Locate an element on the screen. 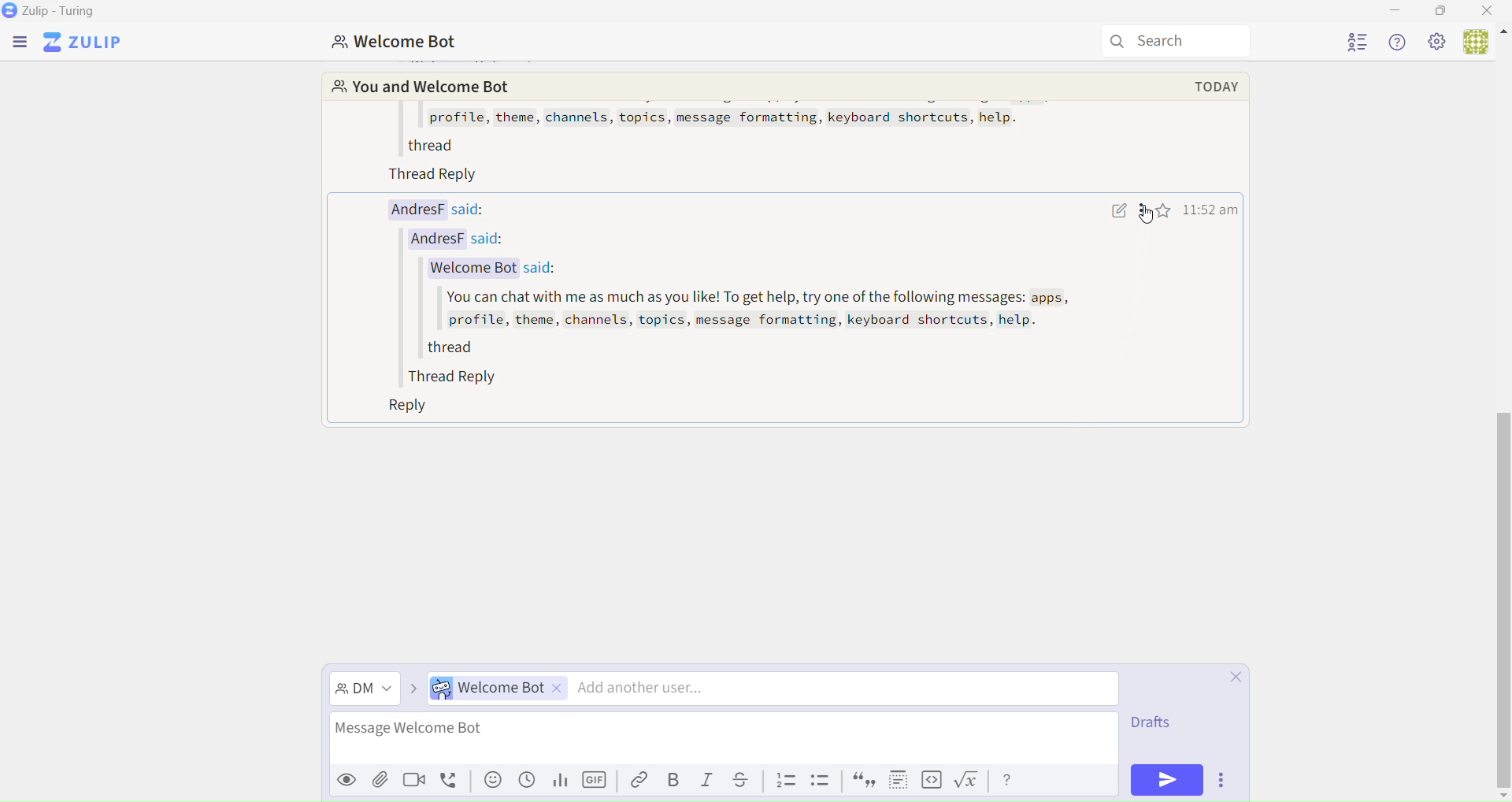 This screenshot has width=1512, height=802. vertical scroll bar is located at coordinates (1503, 600).